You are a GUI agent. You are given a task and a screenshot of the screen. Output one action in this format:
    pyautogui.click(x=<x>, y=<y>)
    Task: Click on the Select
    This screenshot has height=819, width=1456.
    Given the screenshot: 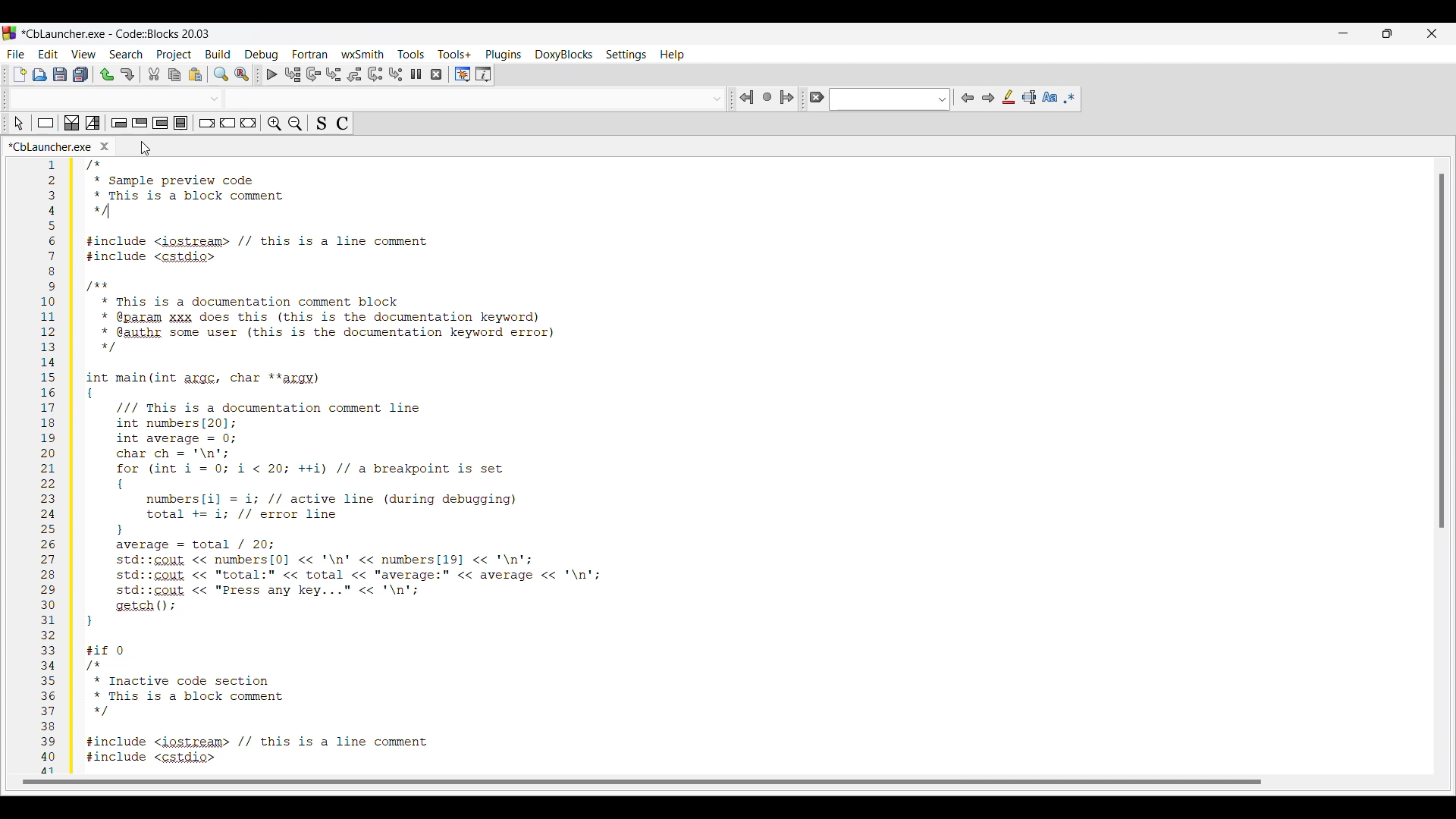 What is the action you would take?
    pyautogui.click(x=21, y=123)
    